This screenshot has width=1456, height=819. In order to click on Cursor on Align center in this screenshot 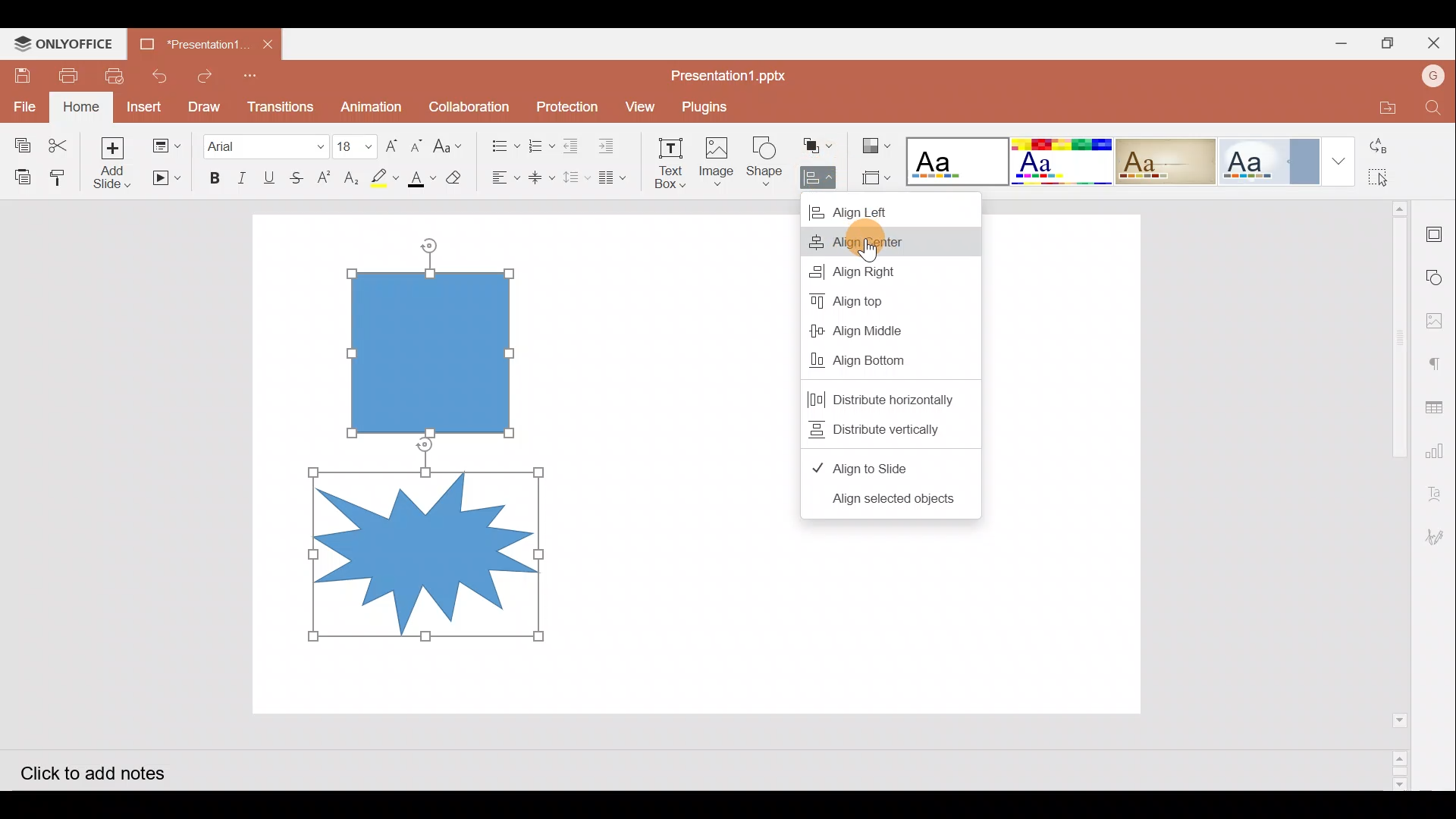, I will do `click(954, 238)`.